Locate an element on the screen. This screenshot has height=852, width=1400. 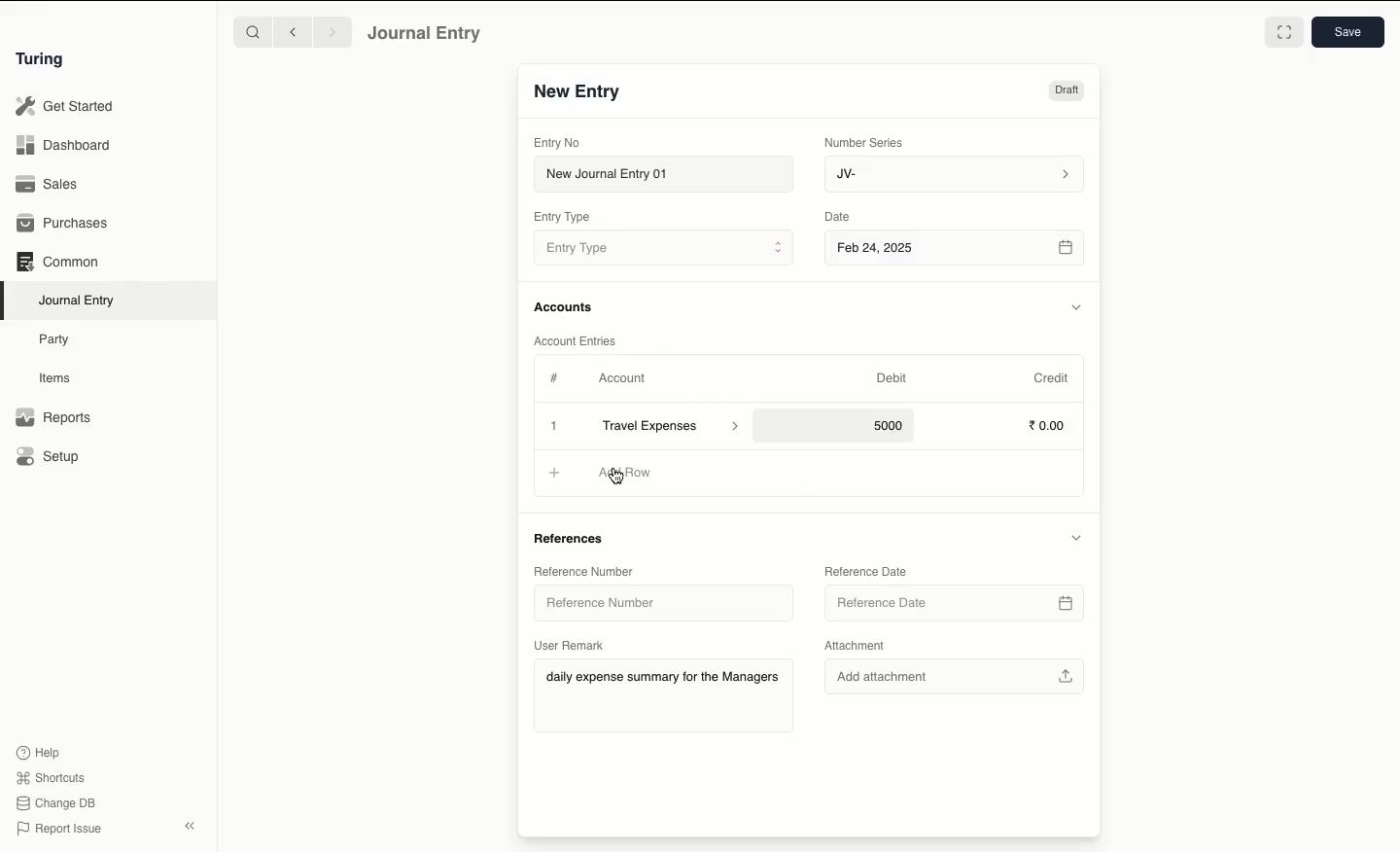
JV- is located at coordinates (956, 175).